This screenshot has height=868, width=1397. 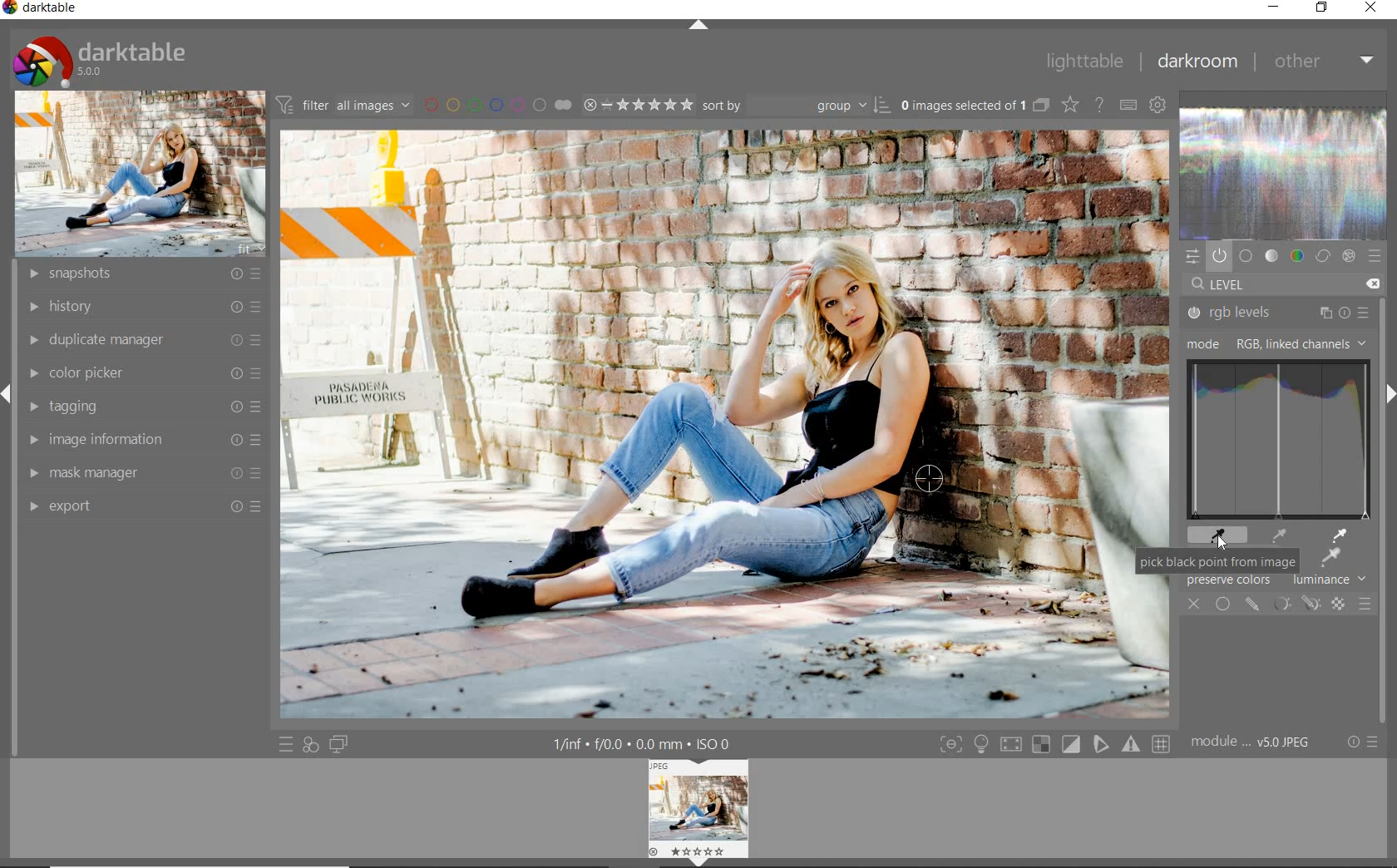 What do you see at coordinates (1160, 106) in the screenshot?
I see `show global preferences` at bounding box center [1160, 106].